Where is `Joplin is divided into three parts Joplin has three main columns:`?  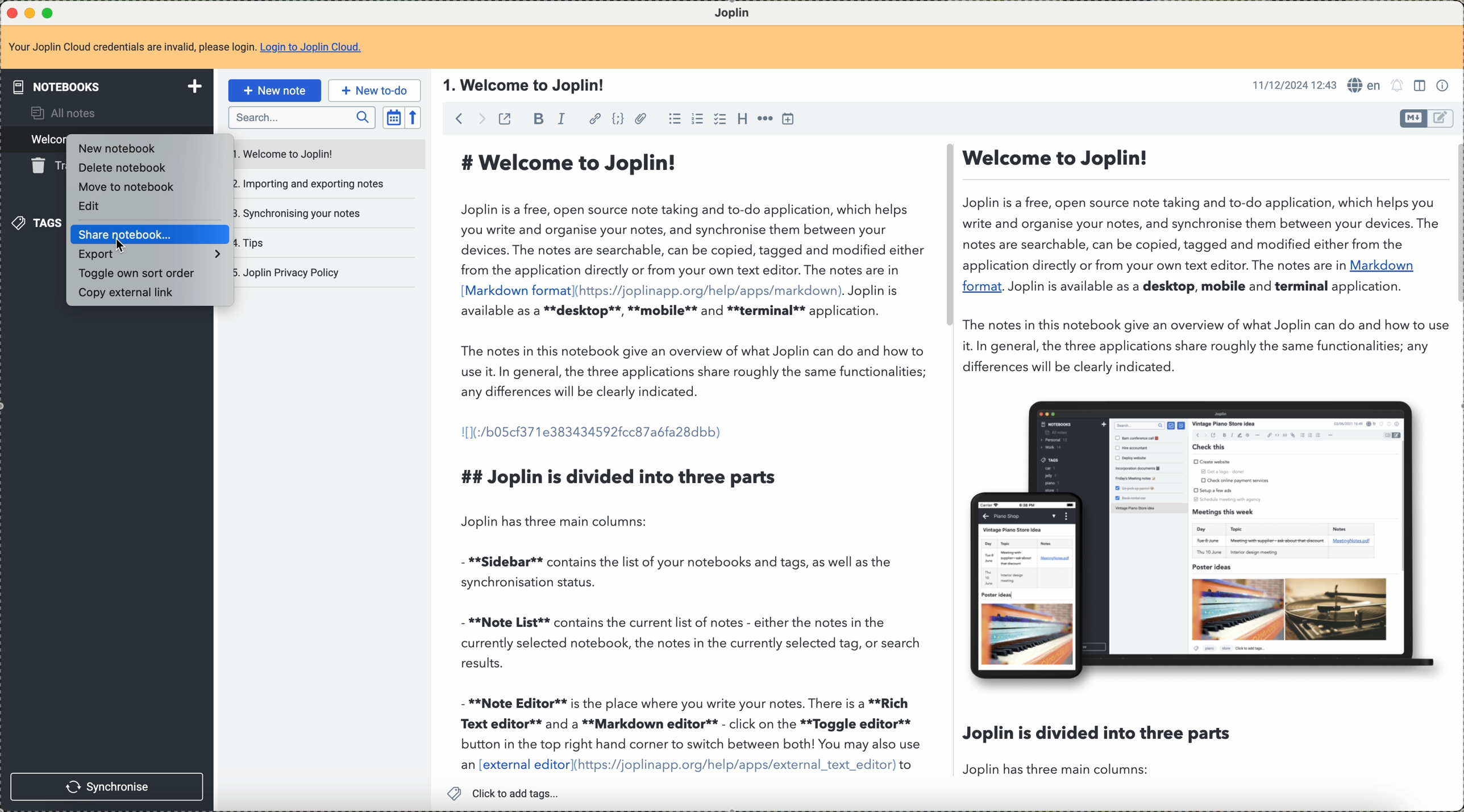
Joplin is divided into three parts Joplin has three main columns: is located at coordinates (1097, 749).